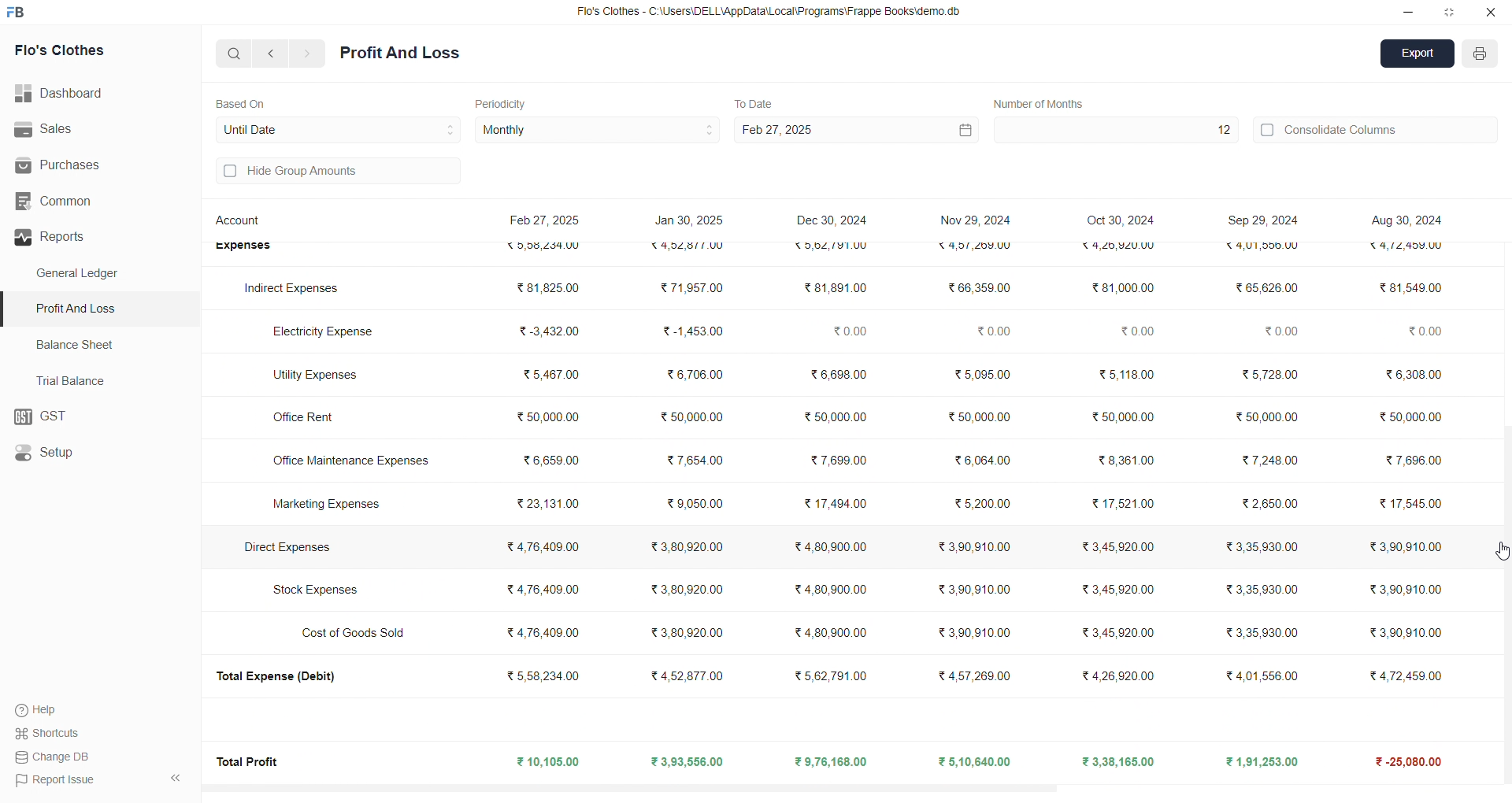 The height and width of the screenshot is (803, 1512). I want to click on ₹ 5,728.00, so click(1266, 373).